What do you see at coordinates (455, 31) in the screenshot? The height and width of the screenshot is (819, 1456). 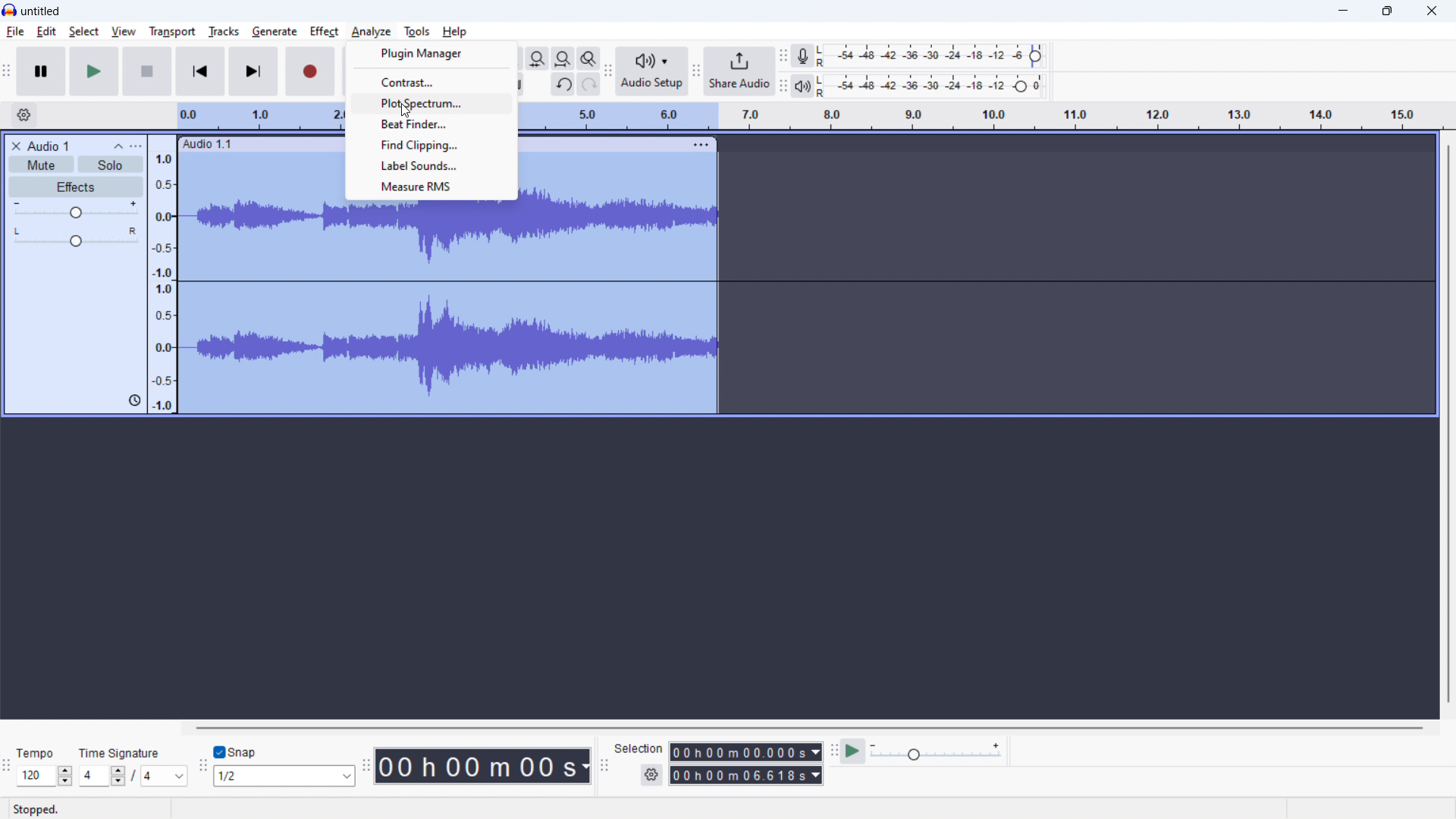 I see `help` at bounding box center [455, 31].